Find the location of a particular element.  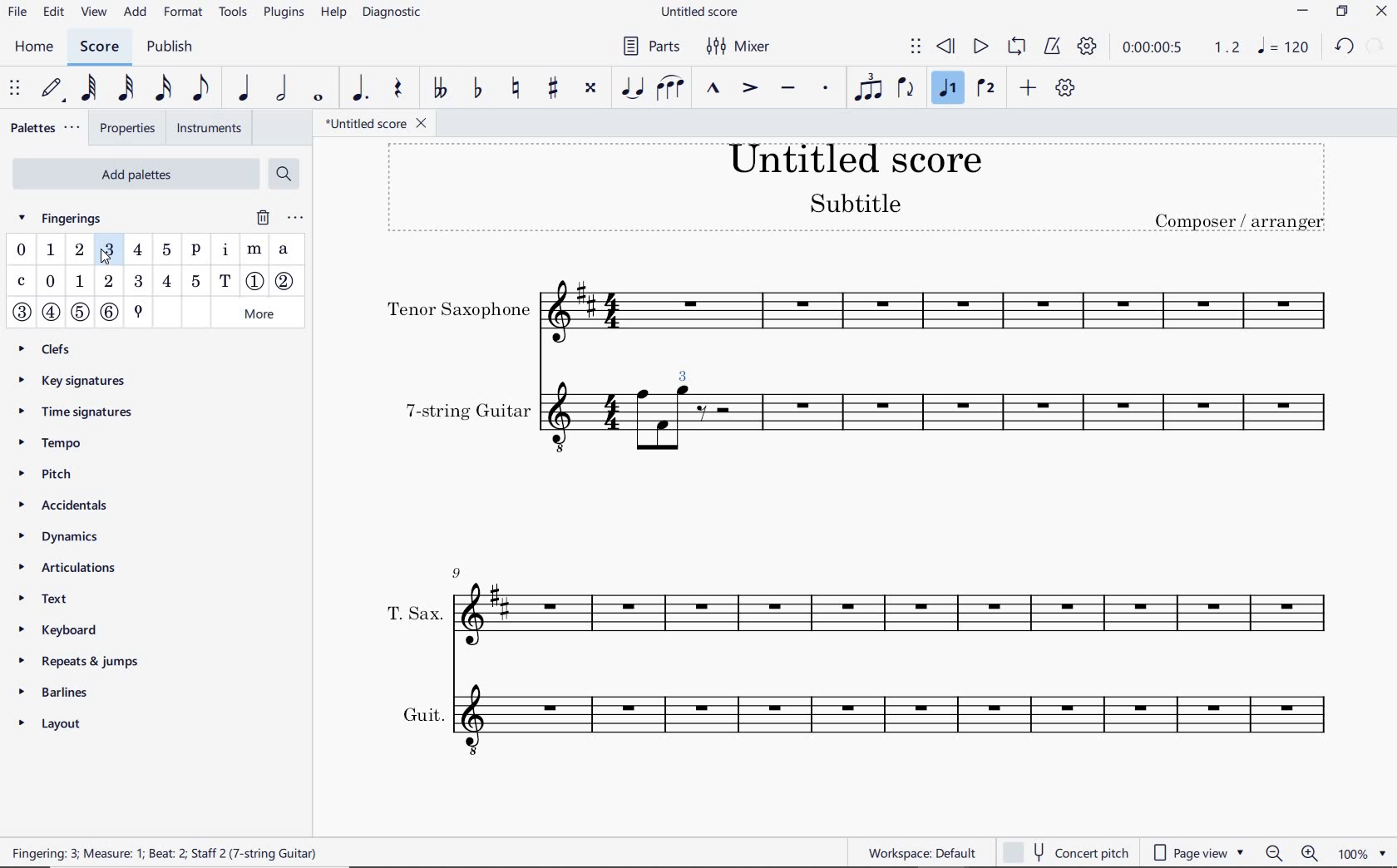

fingerings 5 is located at coordinates (165, 250).